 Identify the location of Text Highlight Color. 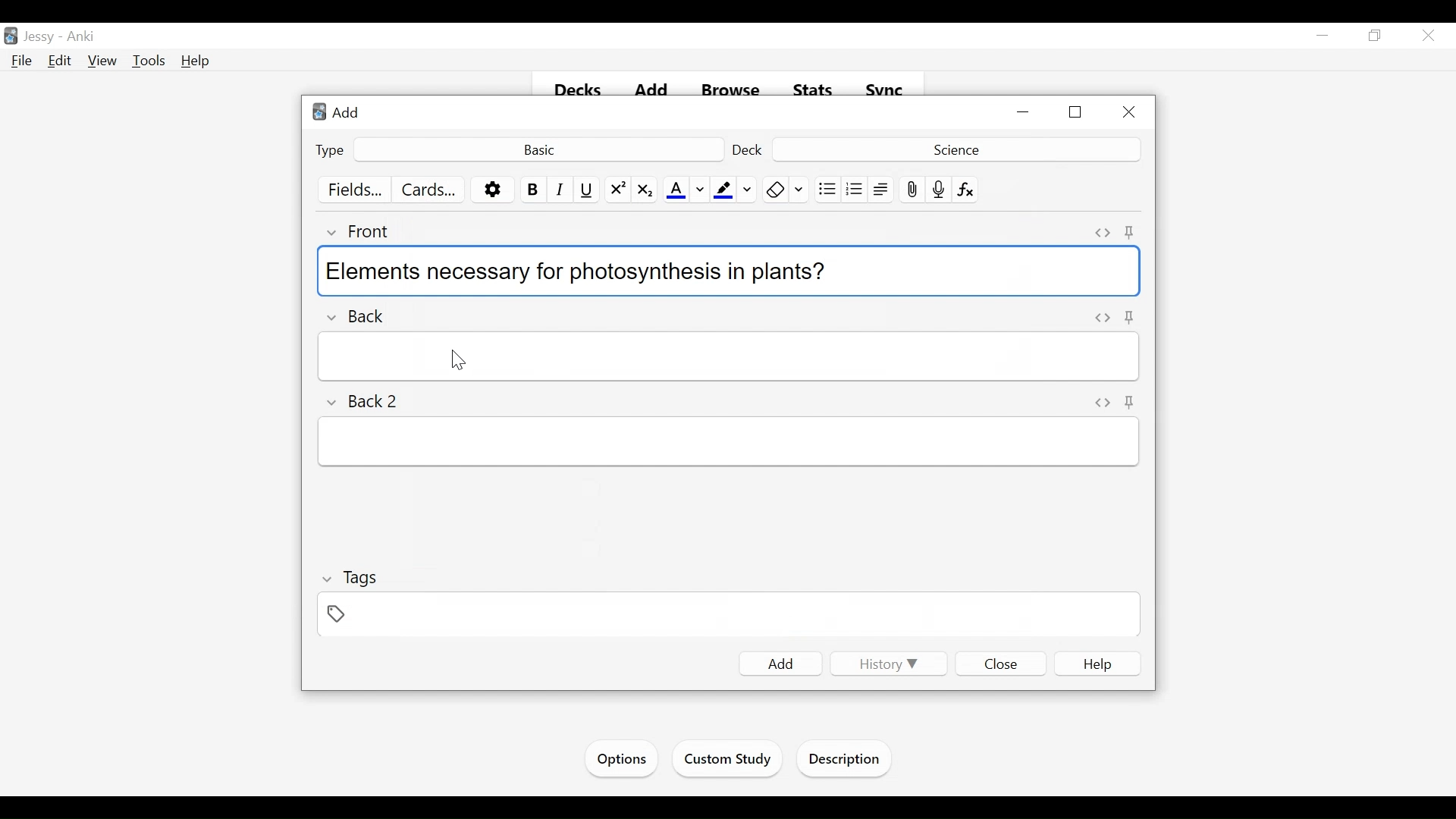
(722, 190).